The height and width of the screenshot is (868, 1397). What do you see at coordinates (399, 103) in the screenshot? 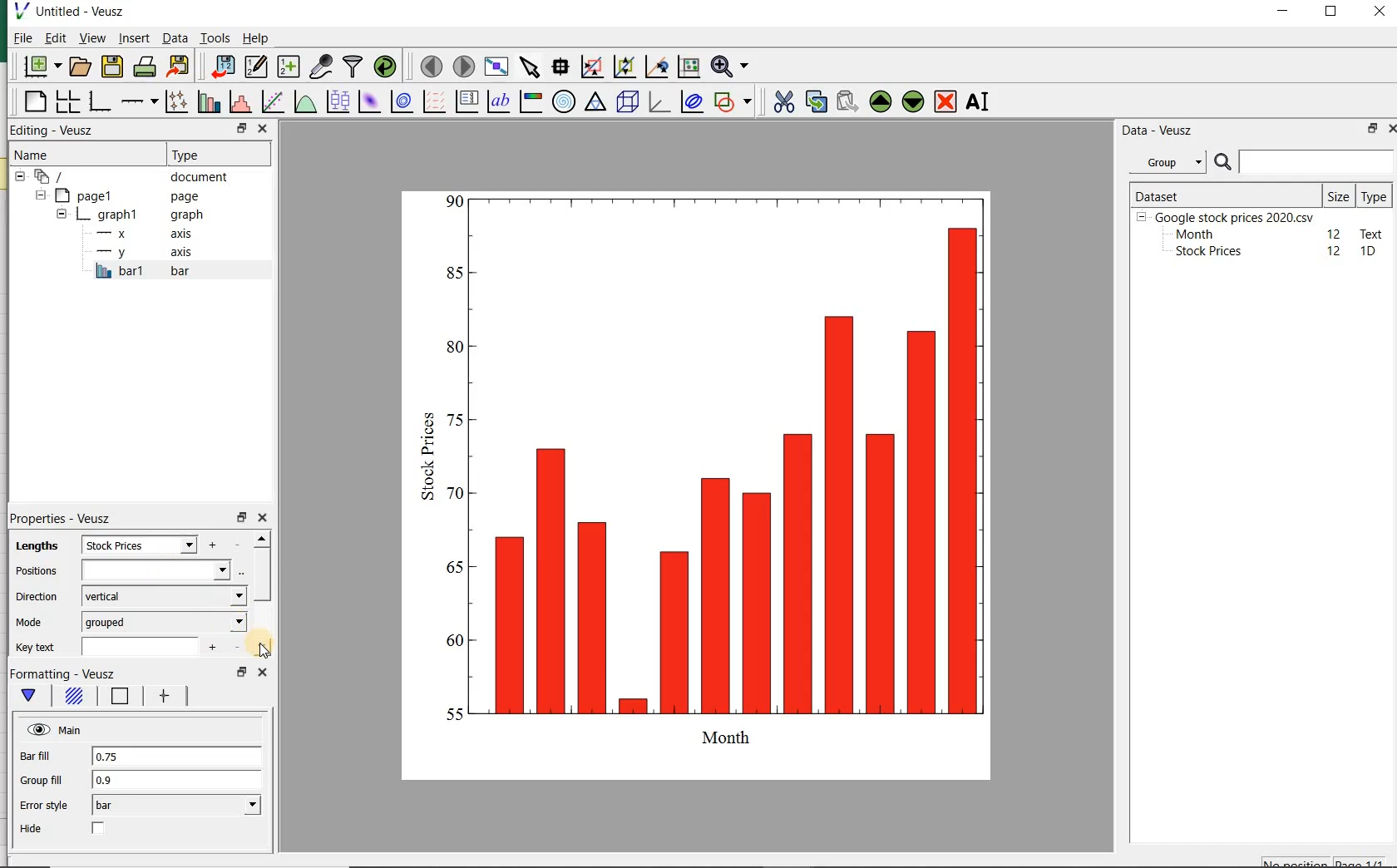
I see `plot a 2d dataset as contours` at bounding box center [399, 103].